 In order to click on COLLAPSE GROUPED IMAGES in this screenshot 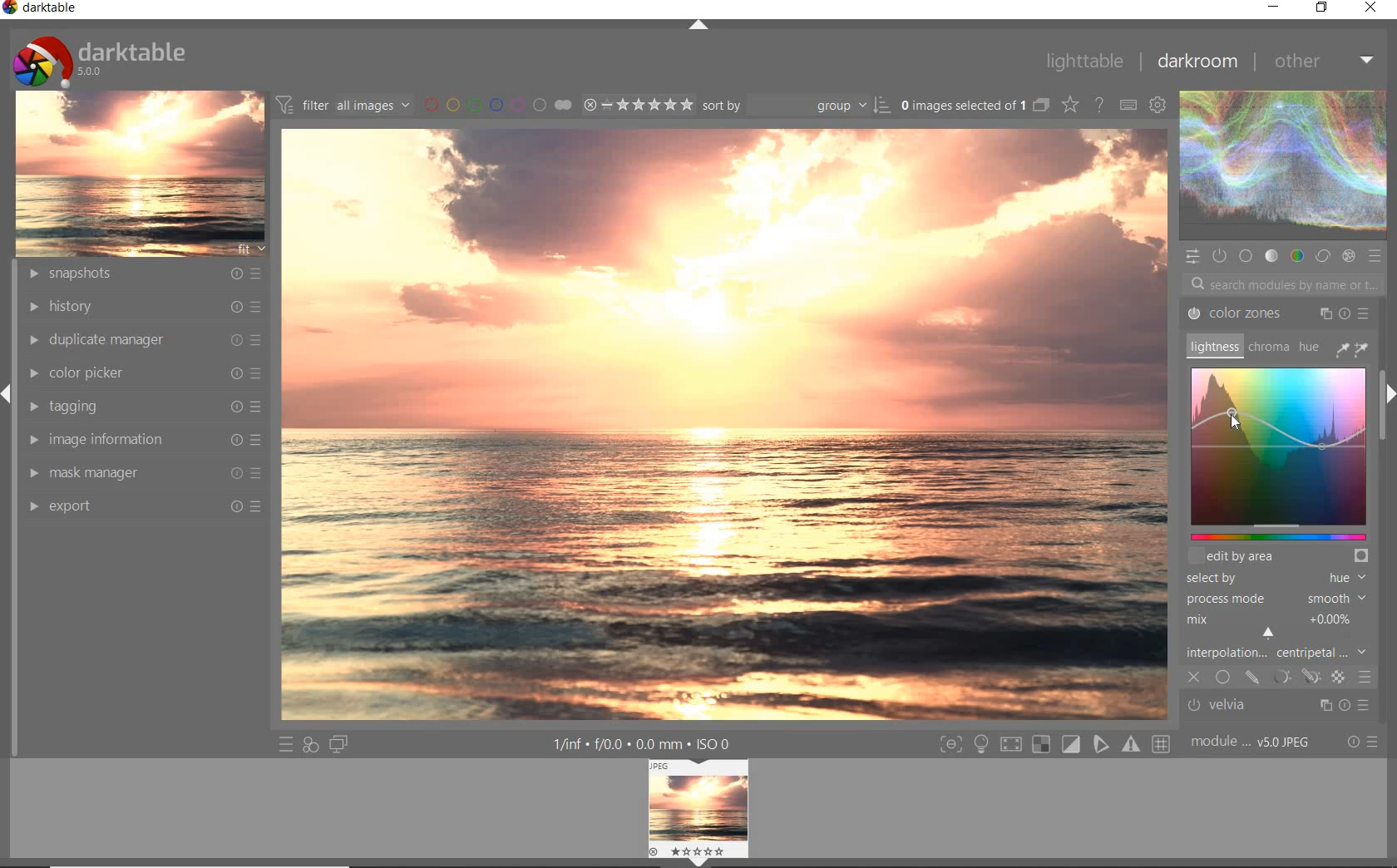, I will do `click(1040, 104)`.